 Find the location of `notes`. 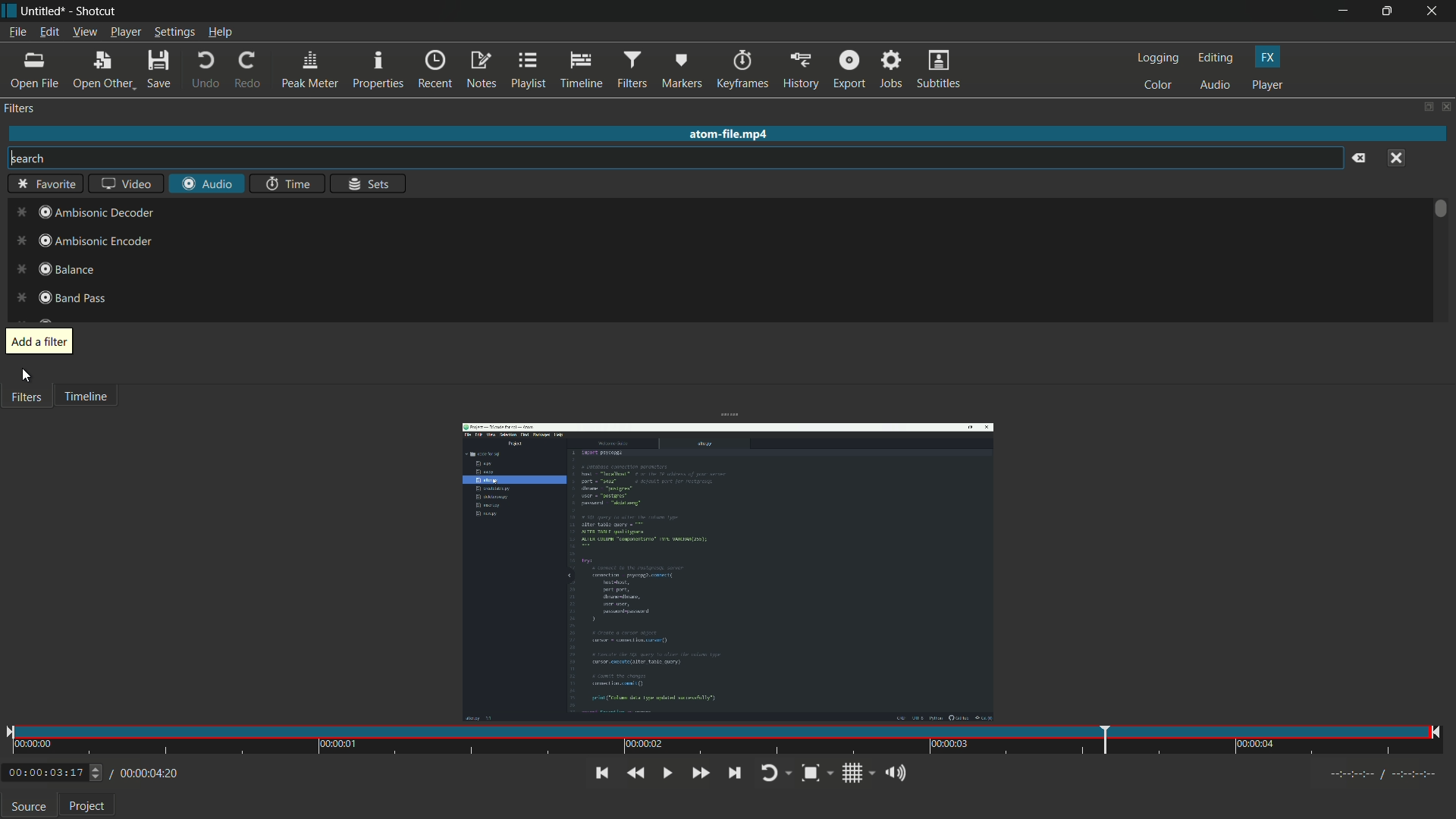

notes is located at coordinates (481, 71).